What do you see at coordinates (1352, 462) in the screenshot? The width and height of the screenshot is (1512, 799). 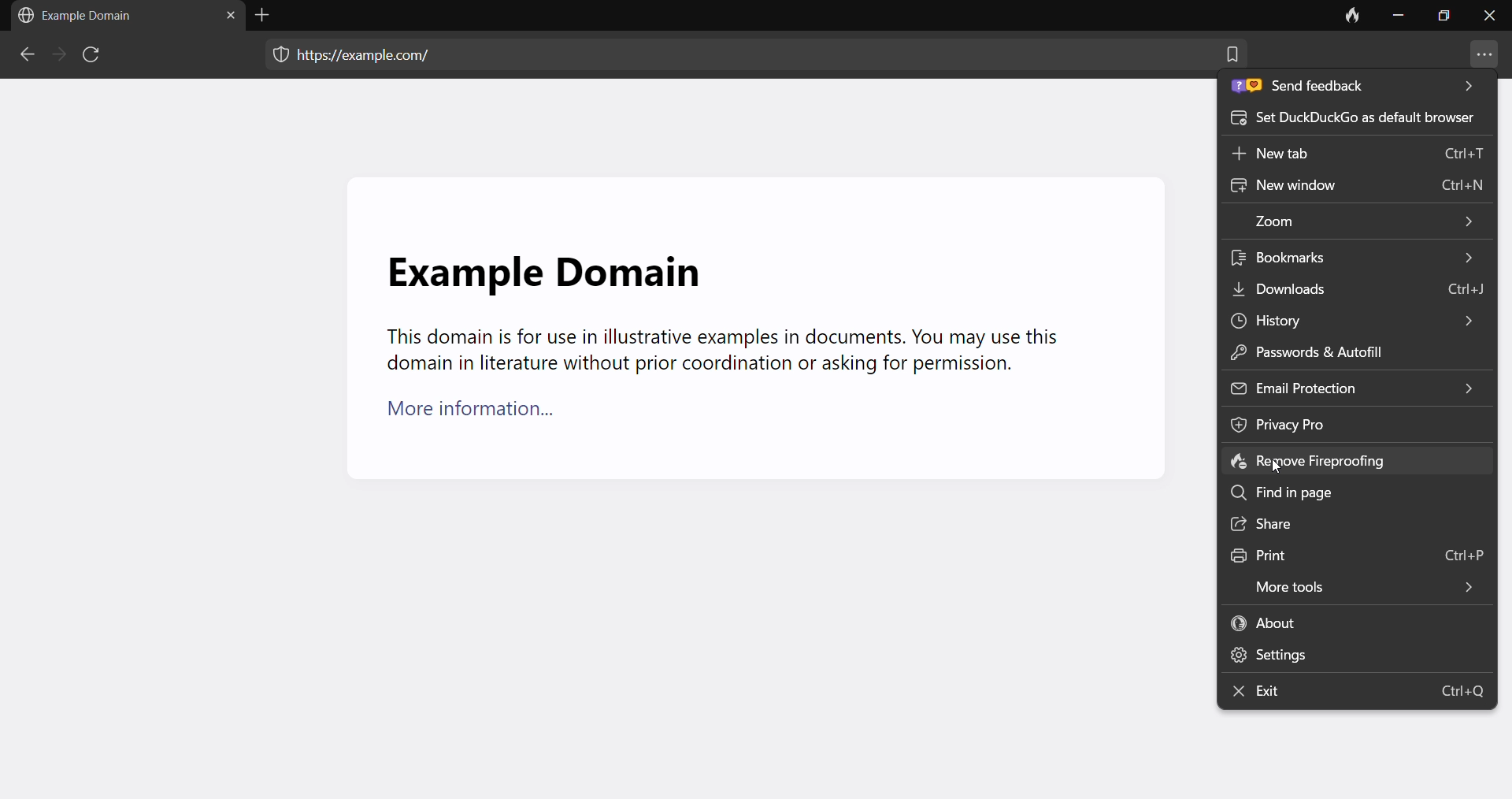 I see `remove fireproofing` at bounding box center [1352, 462].